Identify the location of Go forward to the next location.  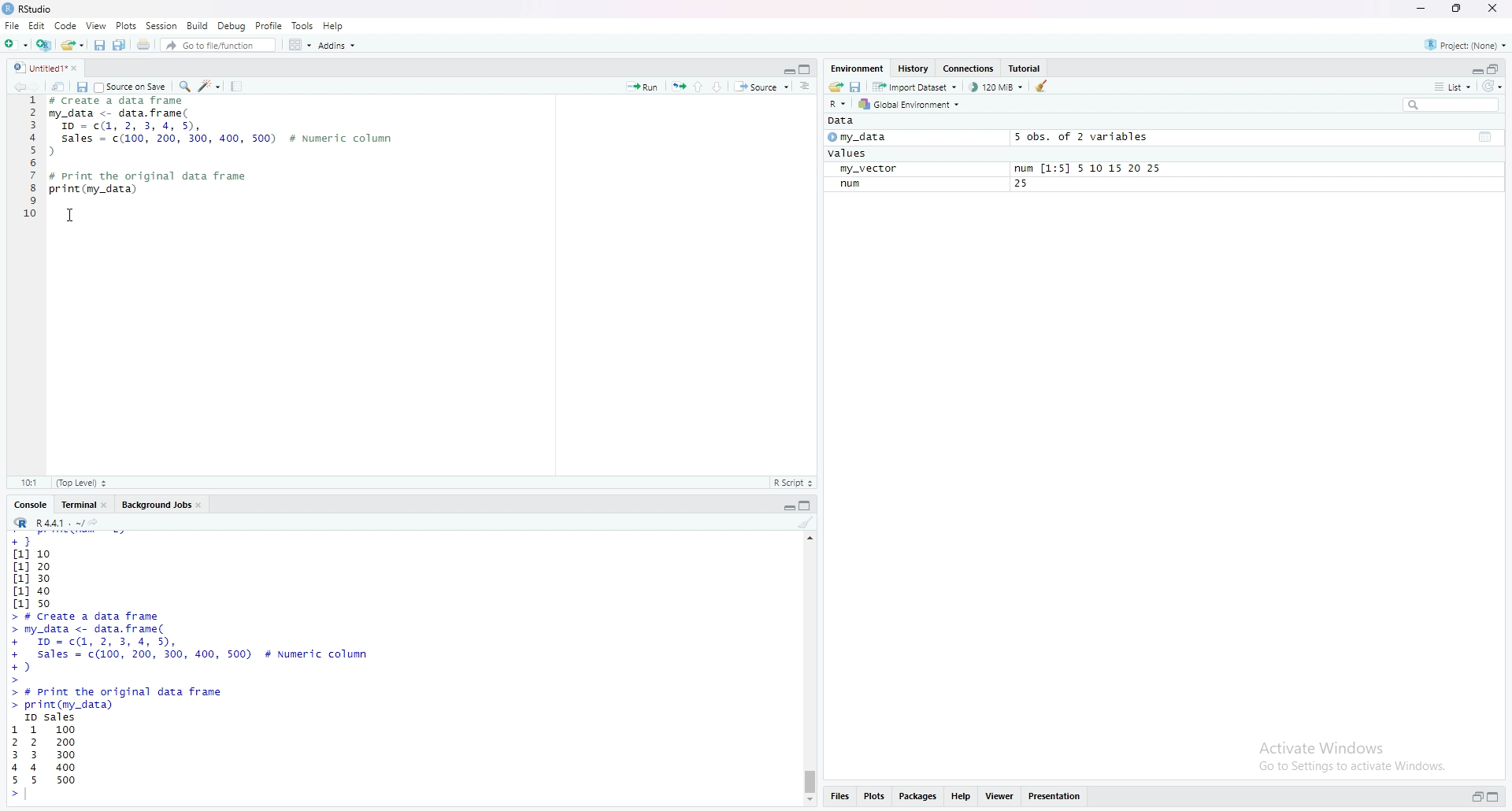
(38, 88).